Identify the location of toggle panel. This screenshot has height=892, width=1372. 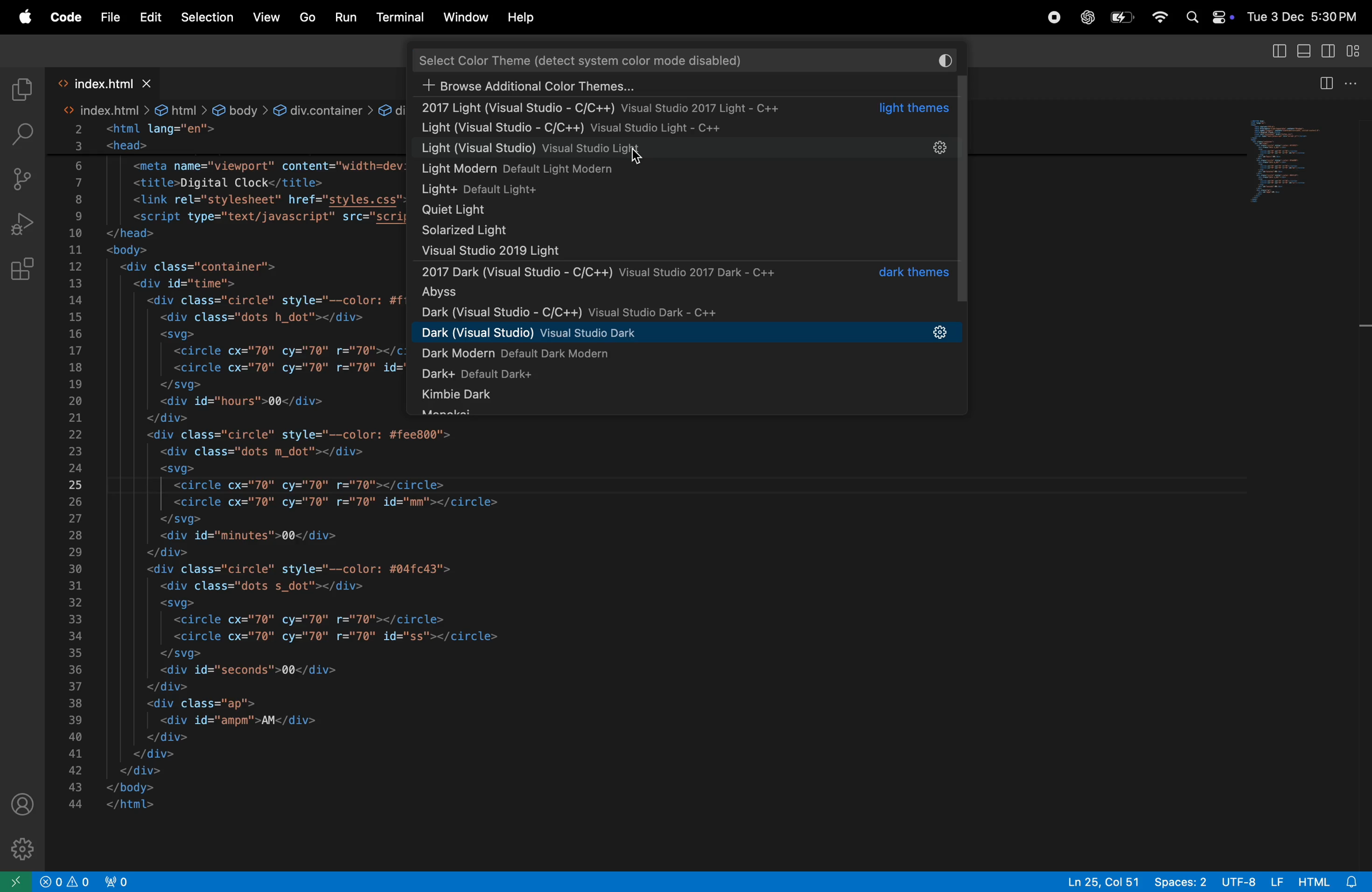
(1306, 51).